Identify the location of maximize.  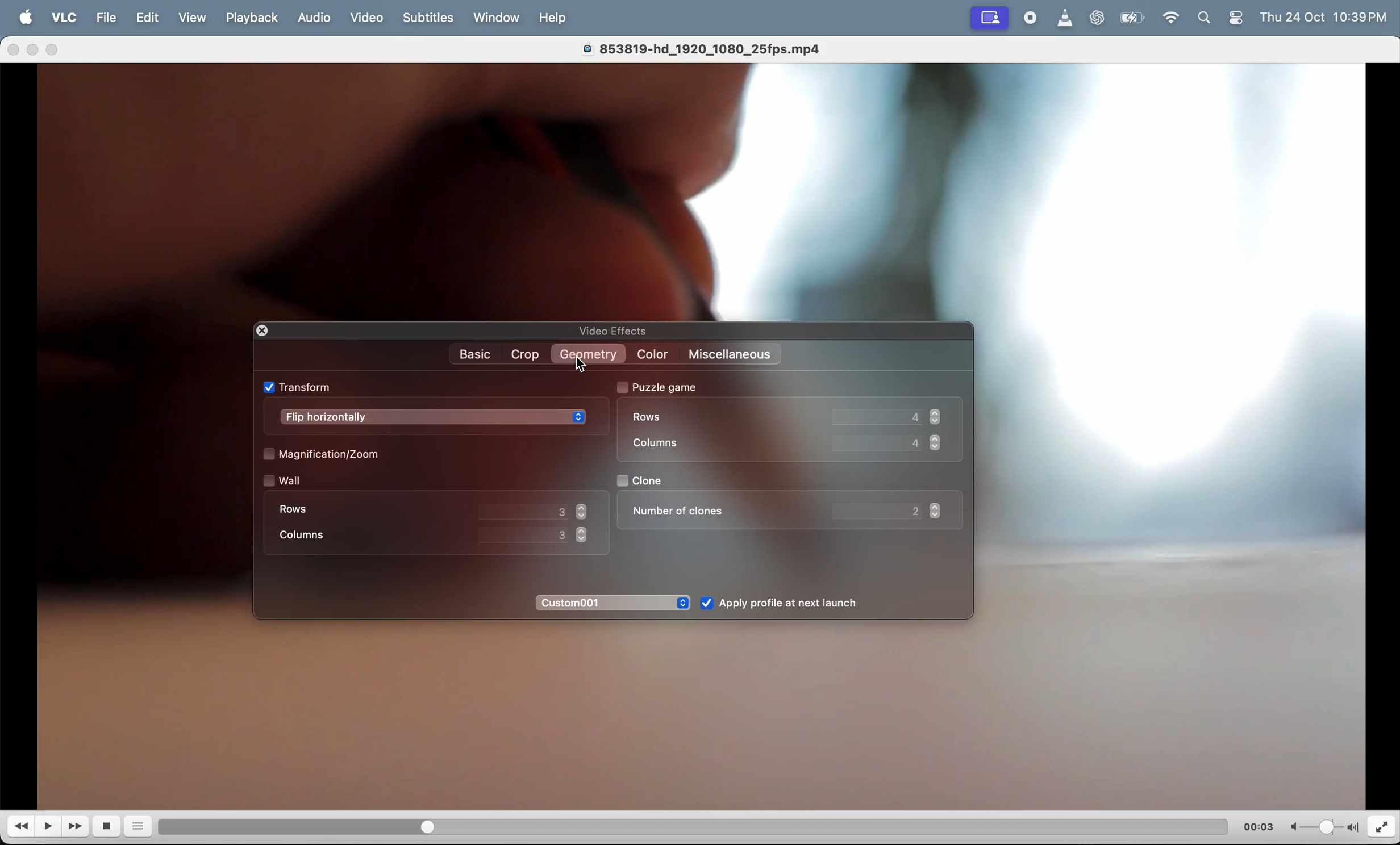
(58, 50).